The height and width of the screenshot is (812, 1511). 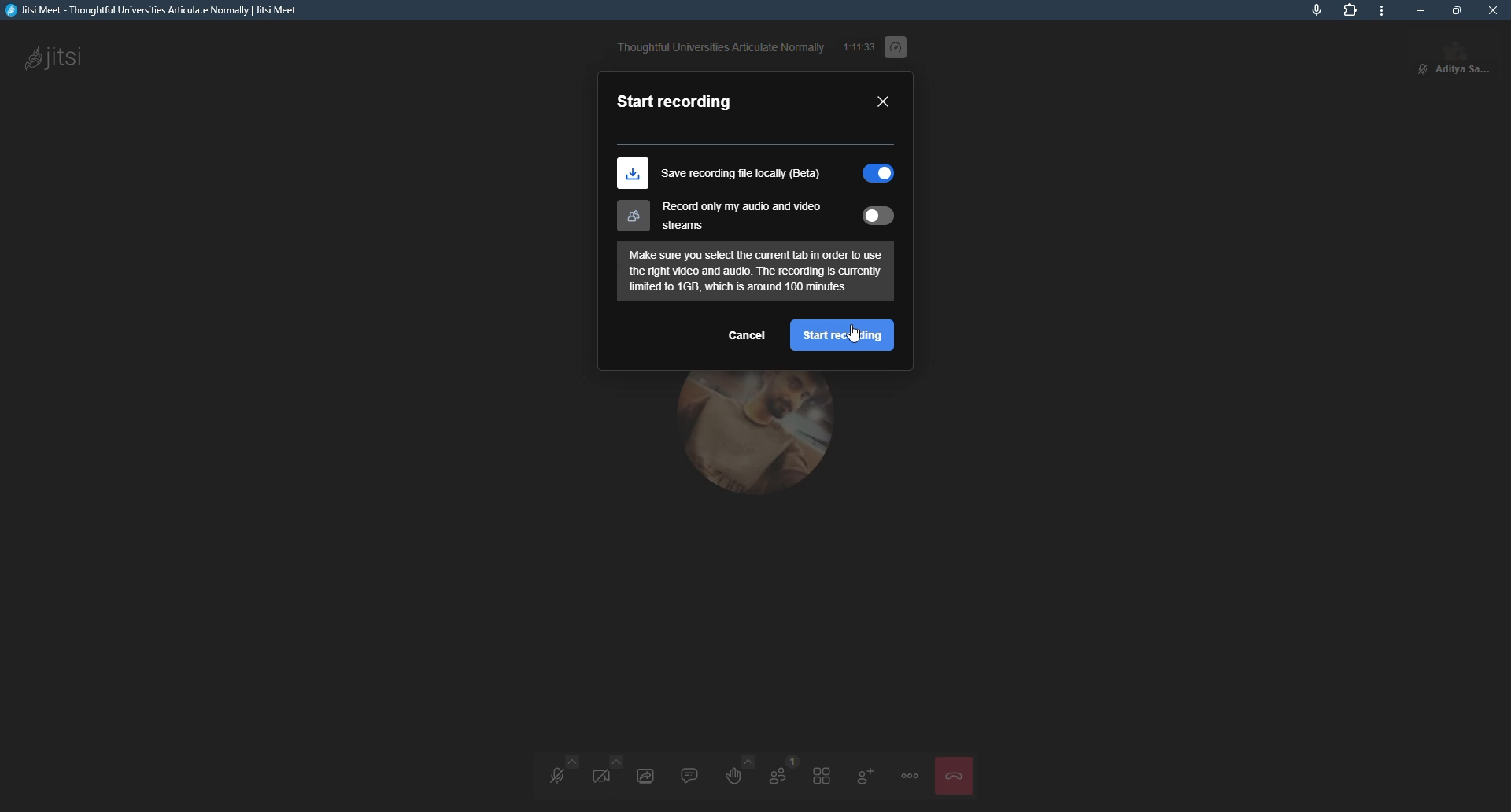 I want to click on menu, so click(x=907, y=774).